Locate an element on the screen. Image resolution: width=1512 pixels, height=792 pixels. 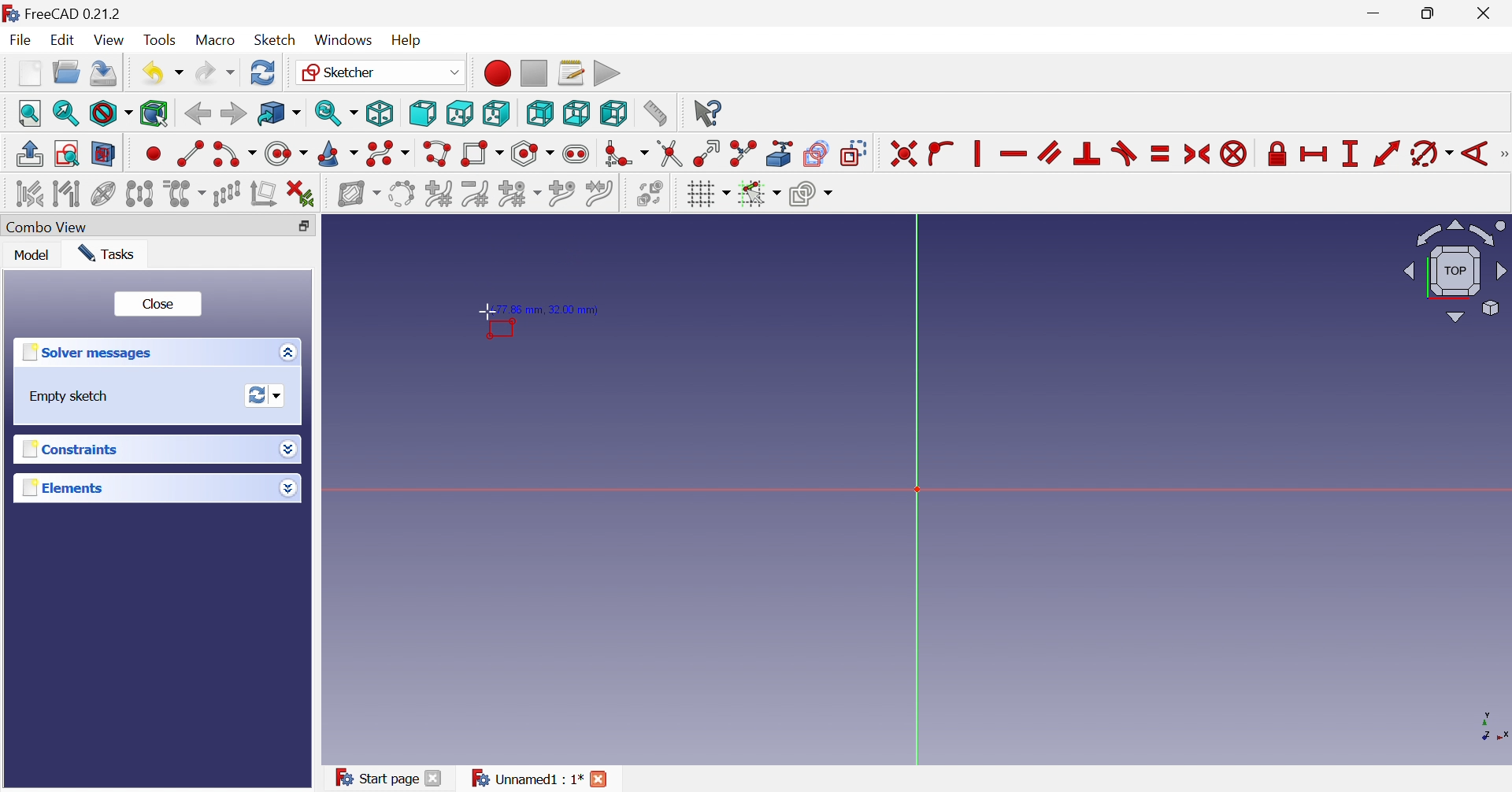
Extend edge is located at coordinates (706, 154).